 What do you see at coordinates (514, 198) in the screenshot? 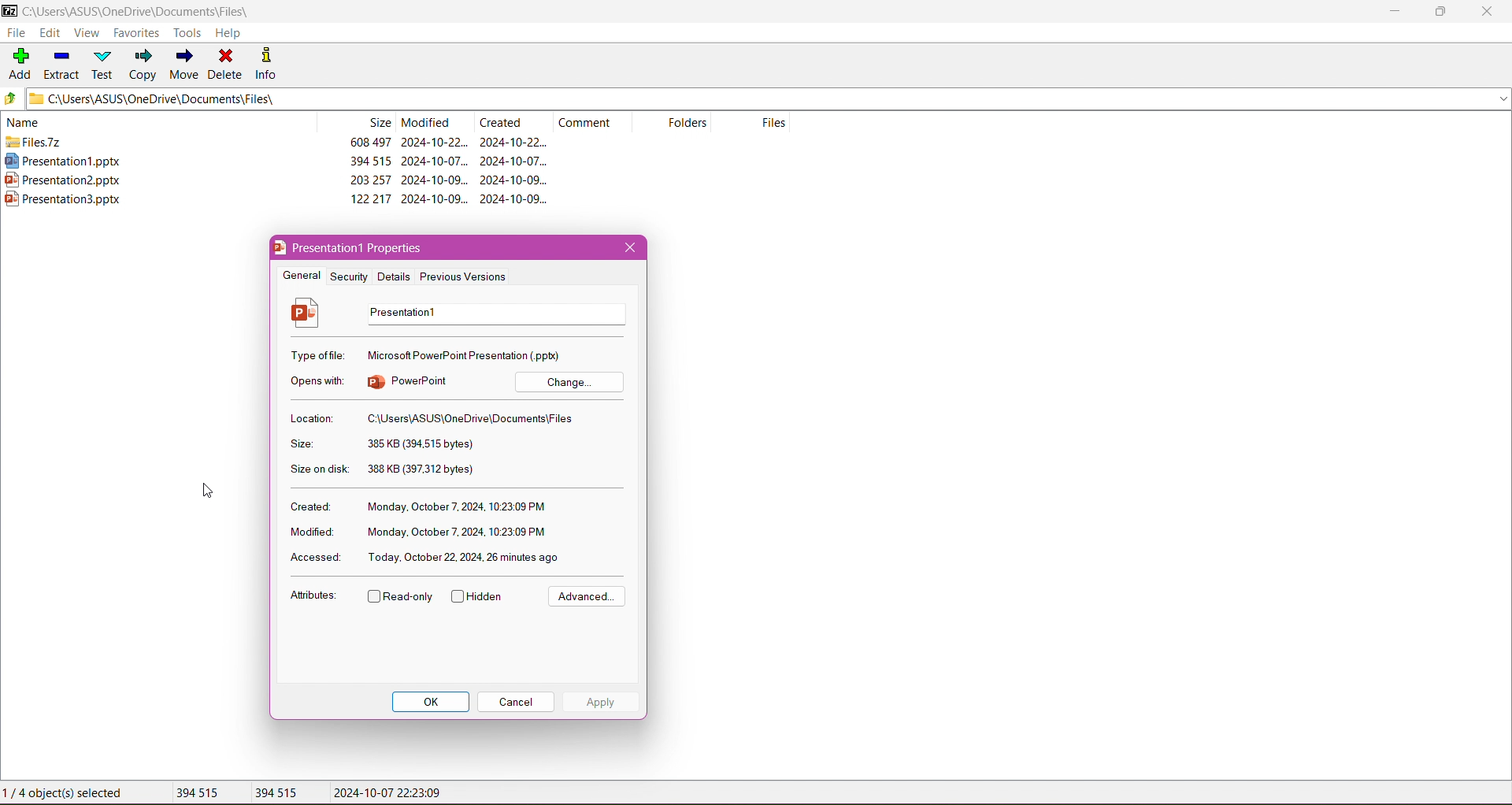
I see `2024-10-09` at bounding box center [514, 198].